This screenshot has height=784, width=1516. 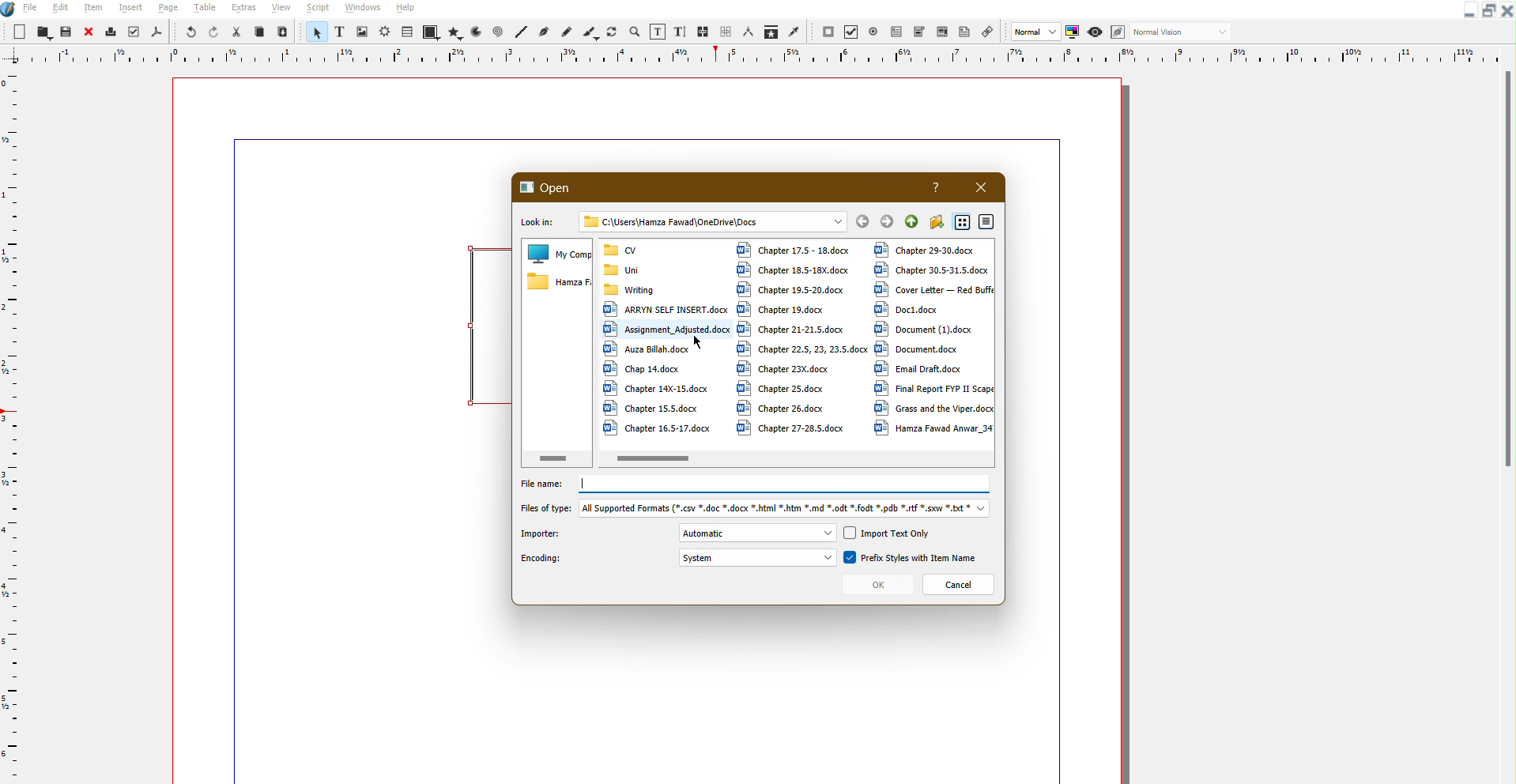 What do you see at coordinates (154, 32) in the screenshot?
I see `PDF` at bounding box center [154, 32].